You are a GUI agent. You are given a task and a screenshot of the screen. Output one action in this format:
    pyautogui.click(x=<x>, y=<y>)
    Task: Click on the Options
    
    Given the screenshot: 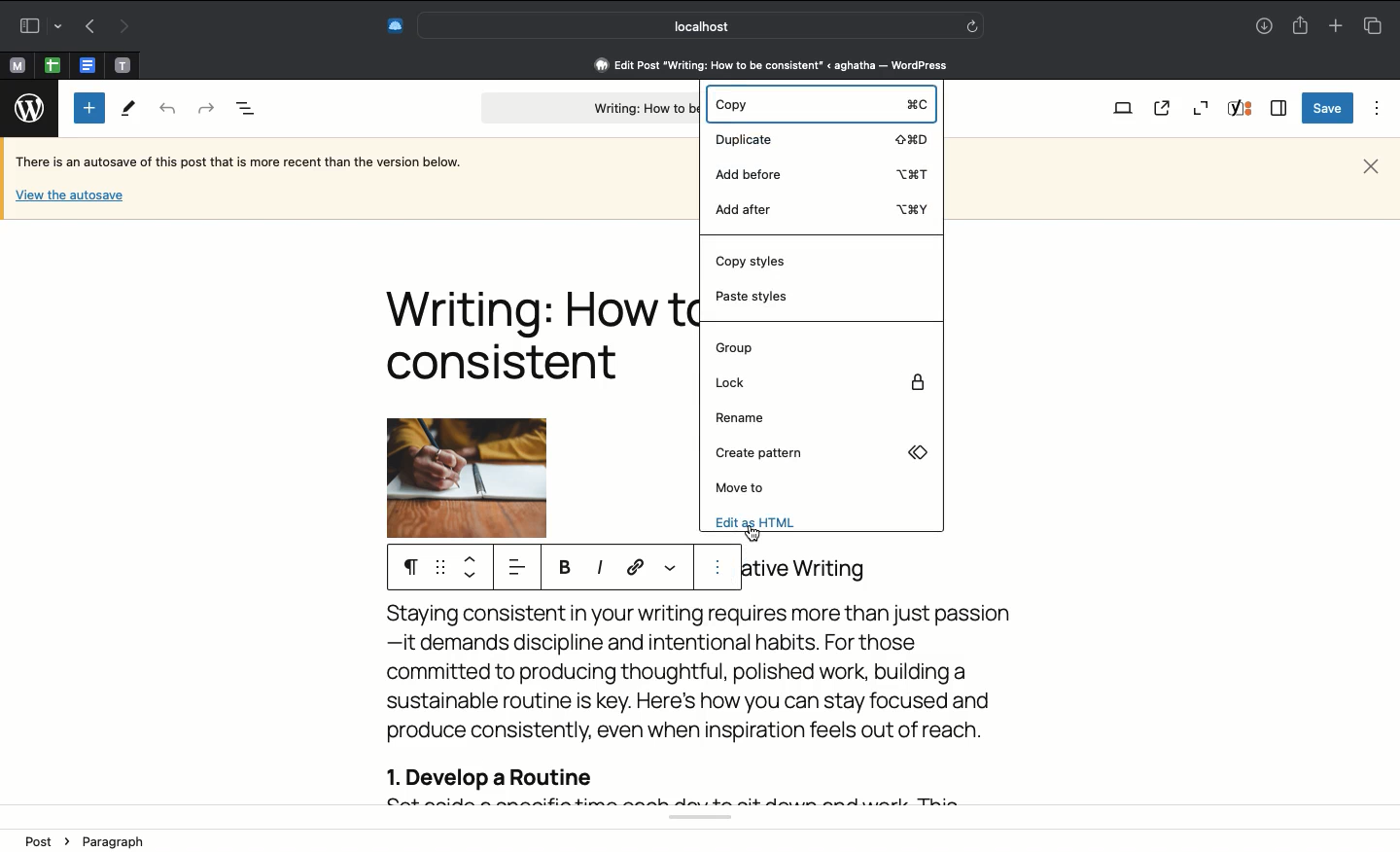 What is the action you would take?
    pyautogui.click(x=1373, y=108)
    